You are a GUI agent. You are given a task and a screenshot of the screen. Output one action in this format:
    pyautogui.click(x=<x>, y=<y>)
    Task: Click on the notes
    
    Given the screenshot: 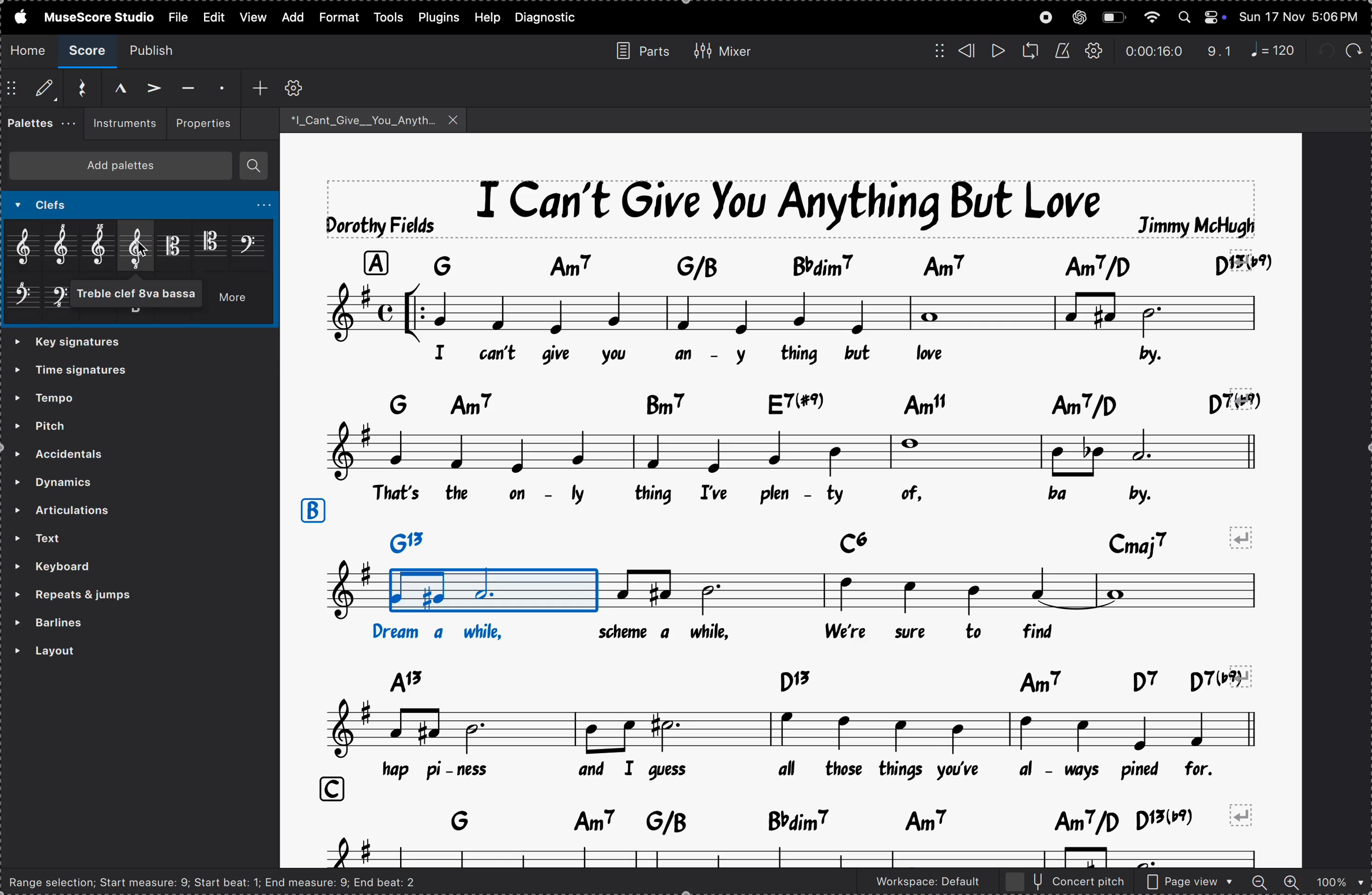 What is the action you would take?
    pyautogui.click(x=793, y=311)
    